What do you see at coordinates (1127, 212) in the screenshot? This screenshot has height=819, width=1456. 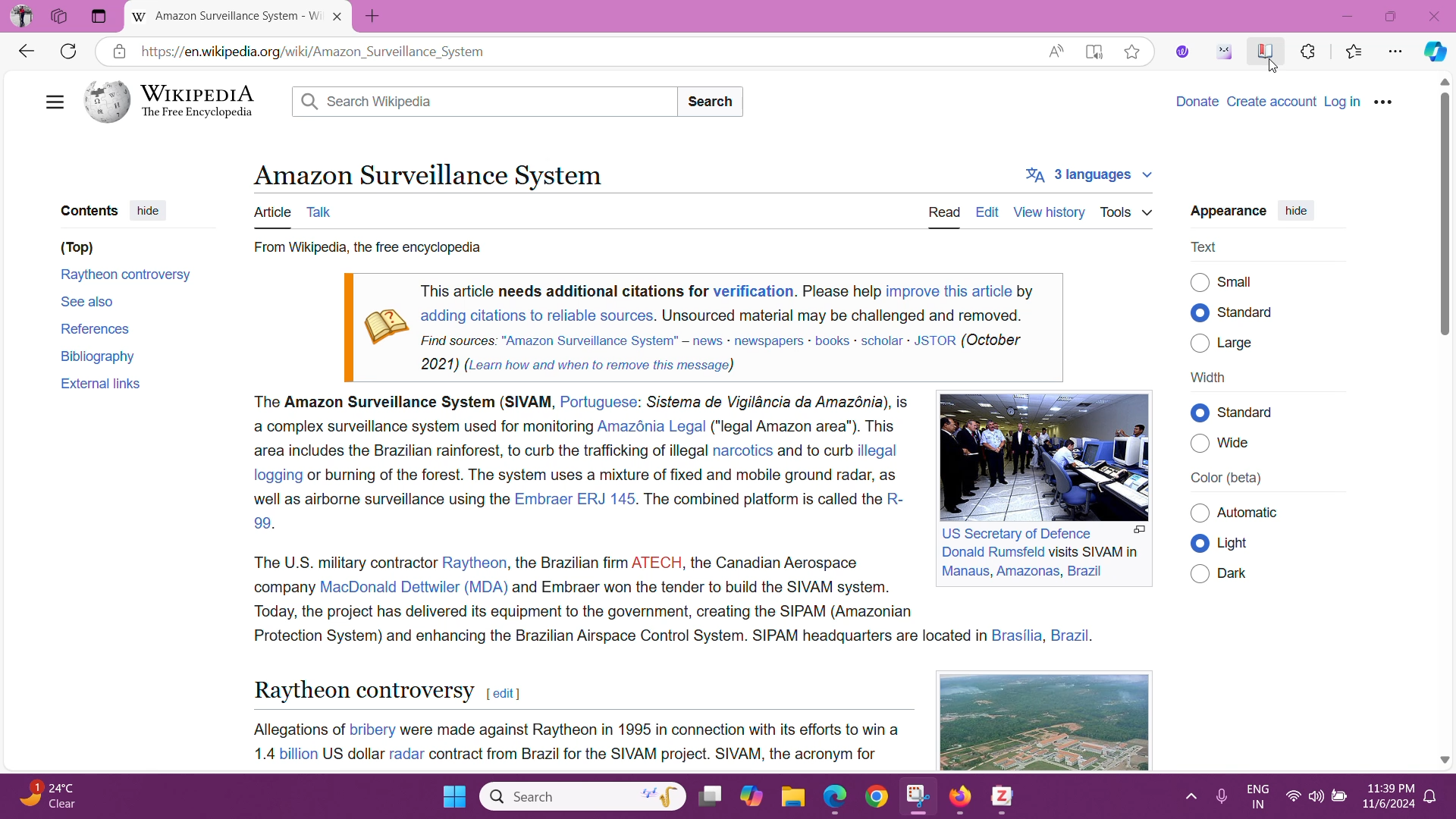 I see `Tools v` at bounding box center [1127, 212].